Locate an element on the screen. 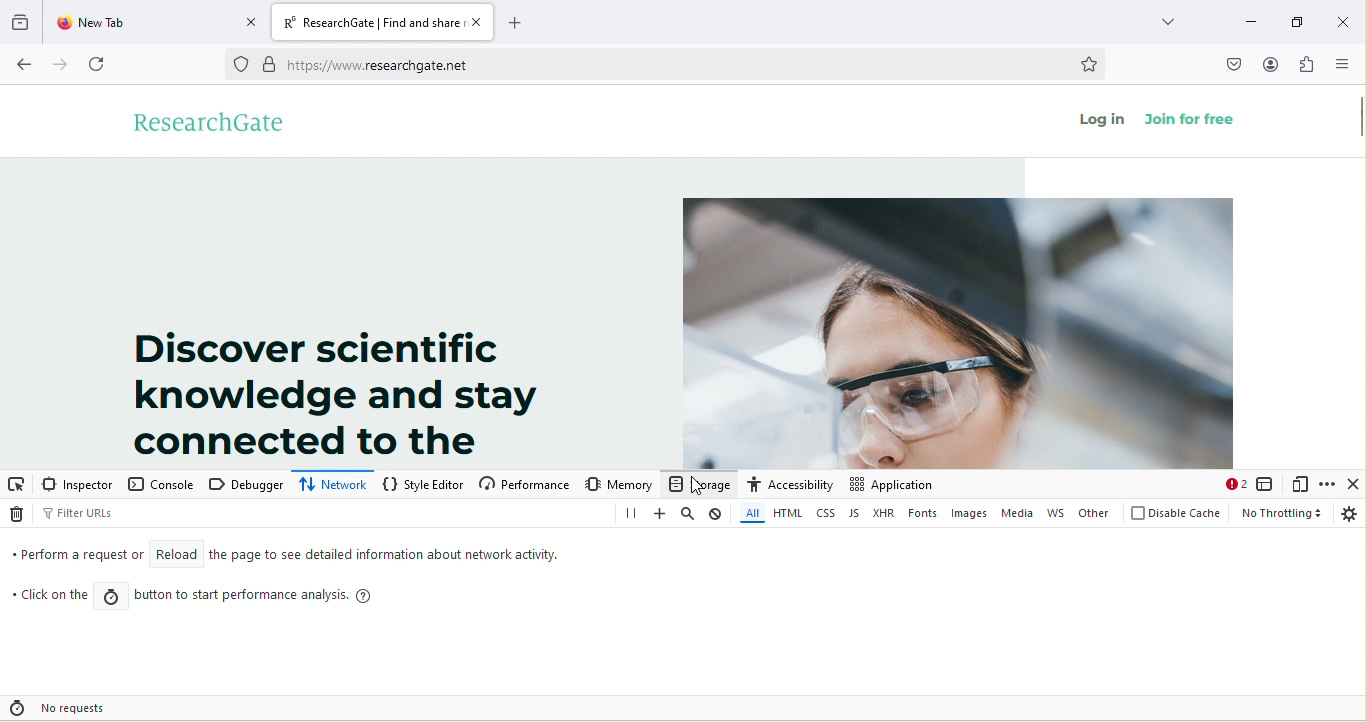 This screenshot has height=722, width=1366. log in is located at coordinates (1098, 122).